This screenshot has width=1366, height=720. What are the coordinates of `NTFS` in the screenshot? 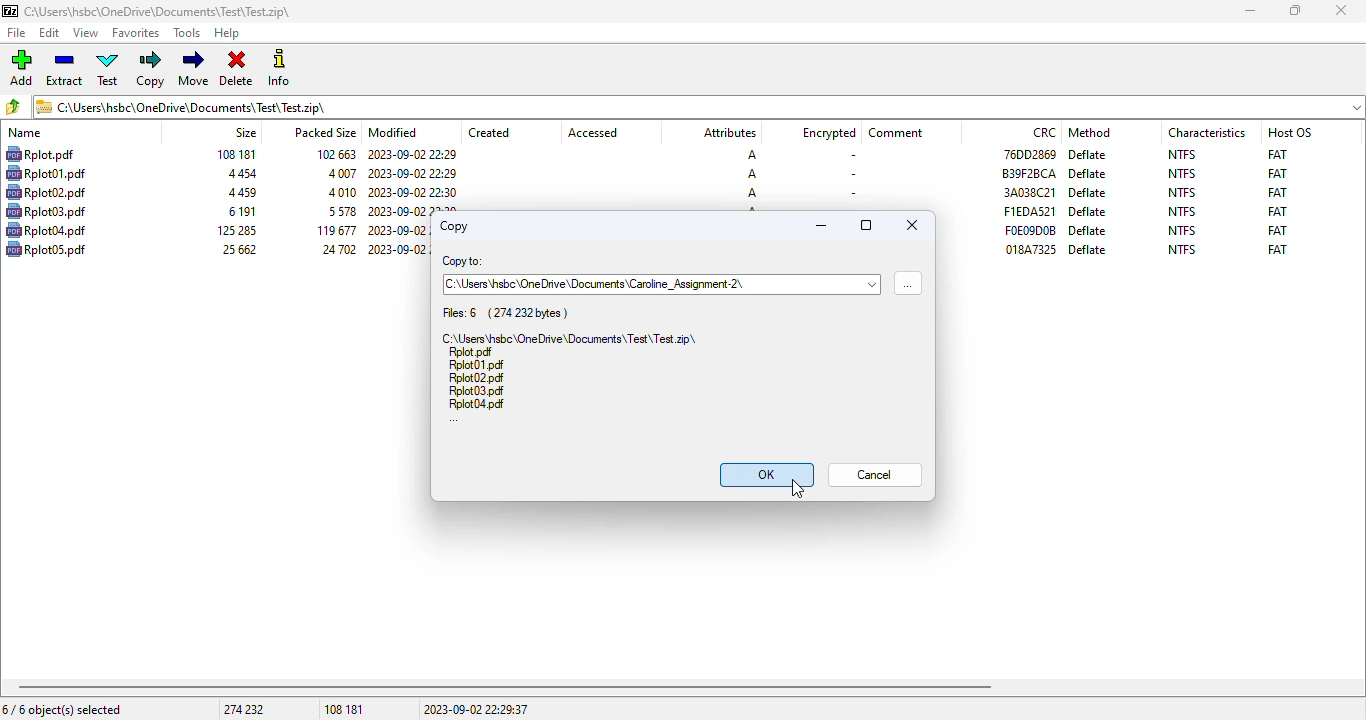 It's located at (1182, 192).